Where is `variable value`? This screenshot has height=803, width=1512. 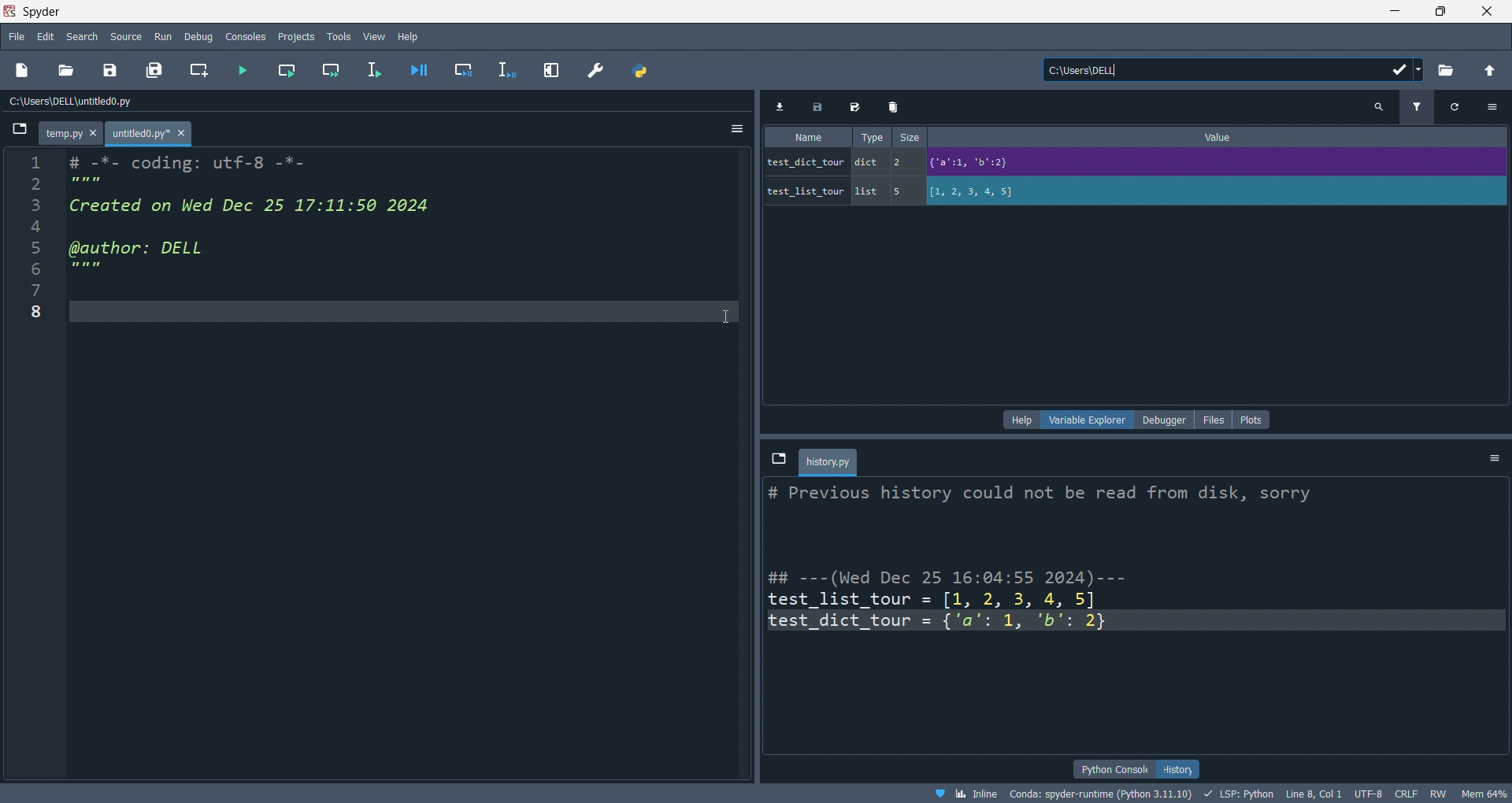 variable value is located at coordinates (1214, 193).